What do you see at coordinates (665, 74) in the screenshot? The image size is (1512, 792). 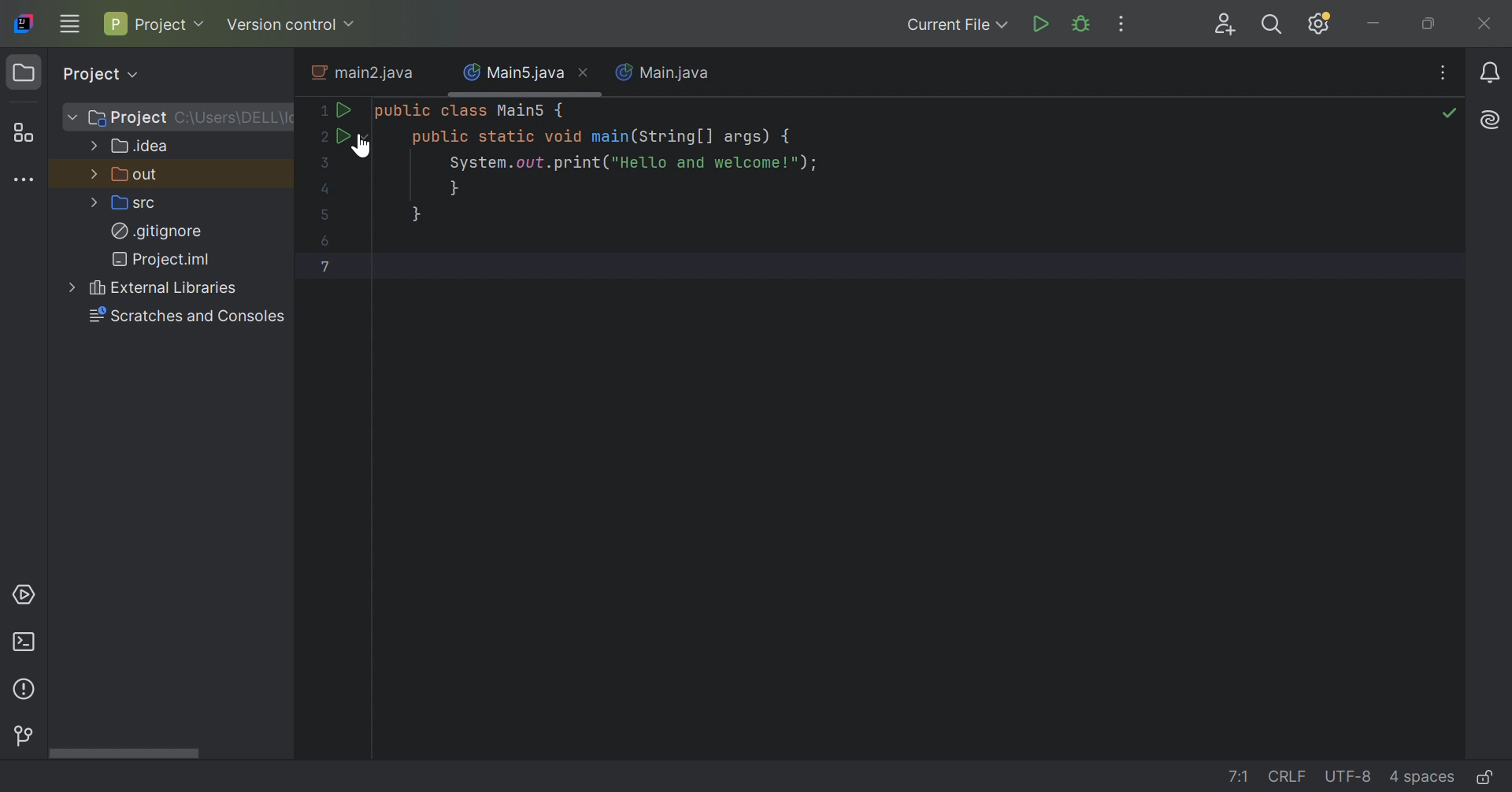 I see `Main.java` at bounding box center [665, 74].